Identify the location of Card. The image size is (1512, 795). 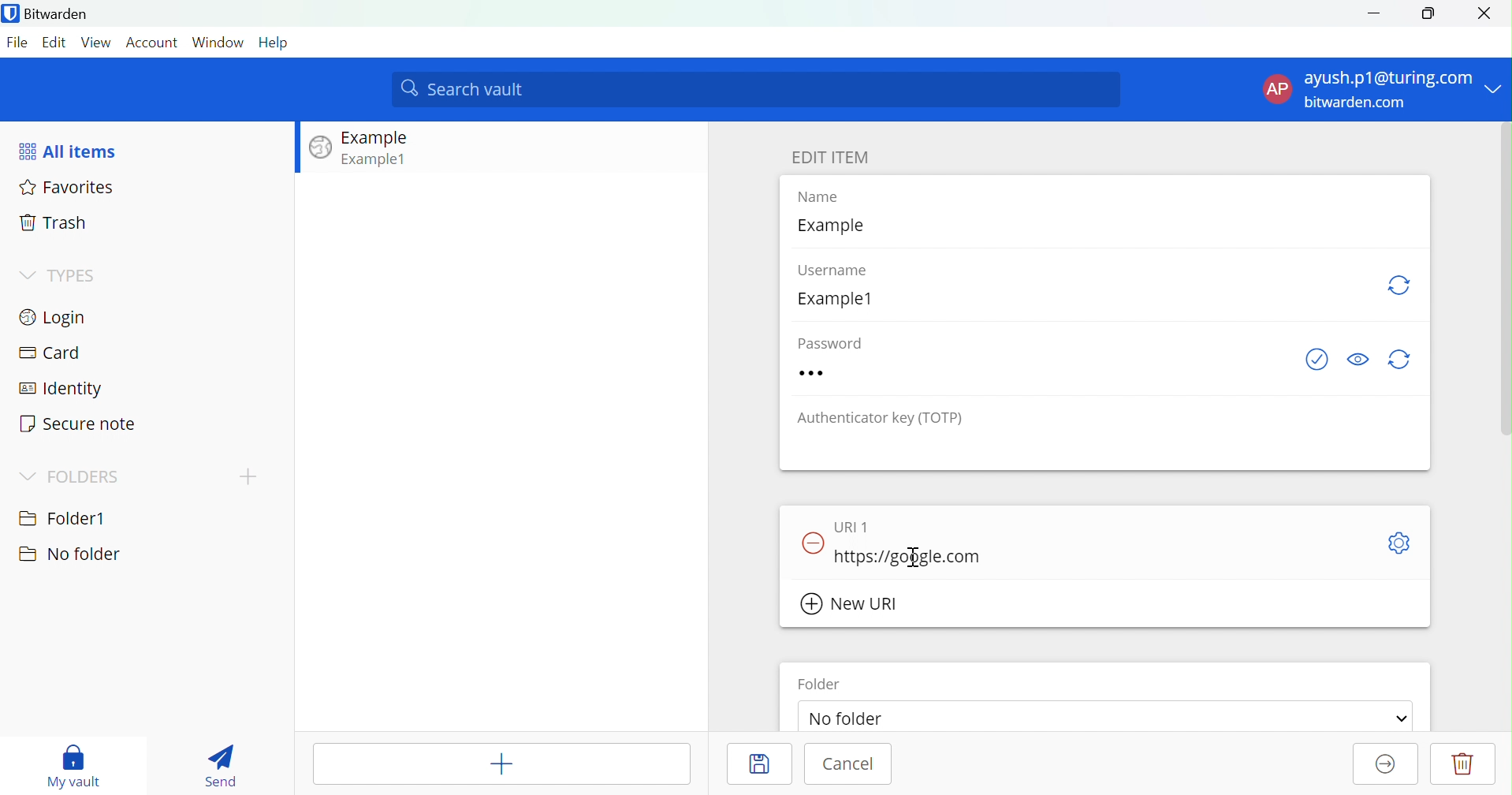
(50, 353).